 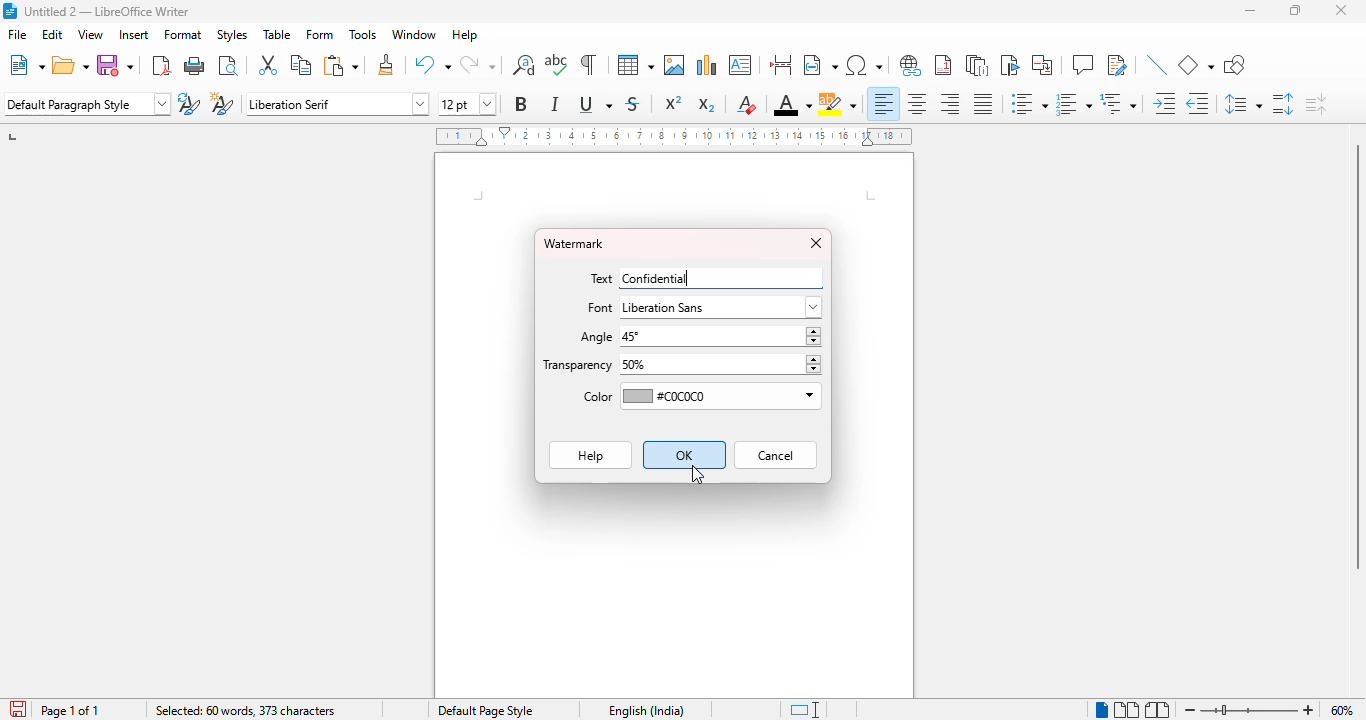 I want to click on copy, so click(x=301, y=64).